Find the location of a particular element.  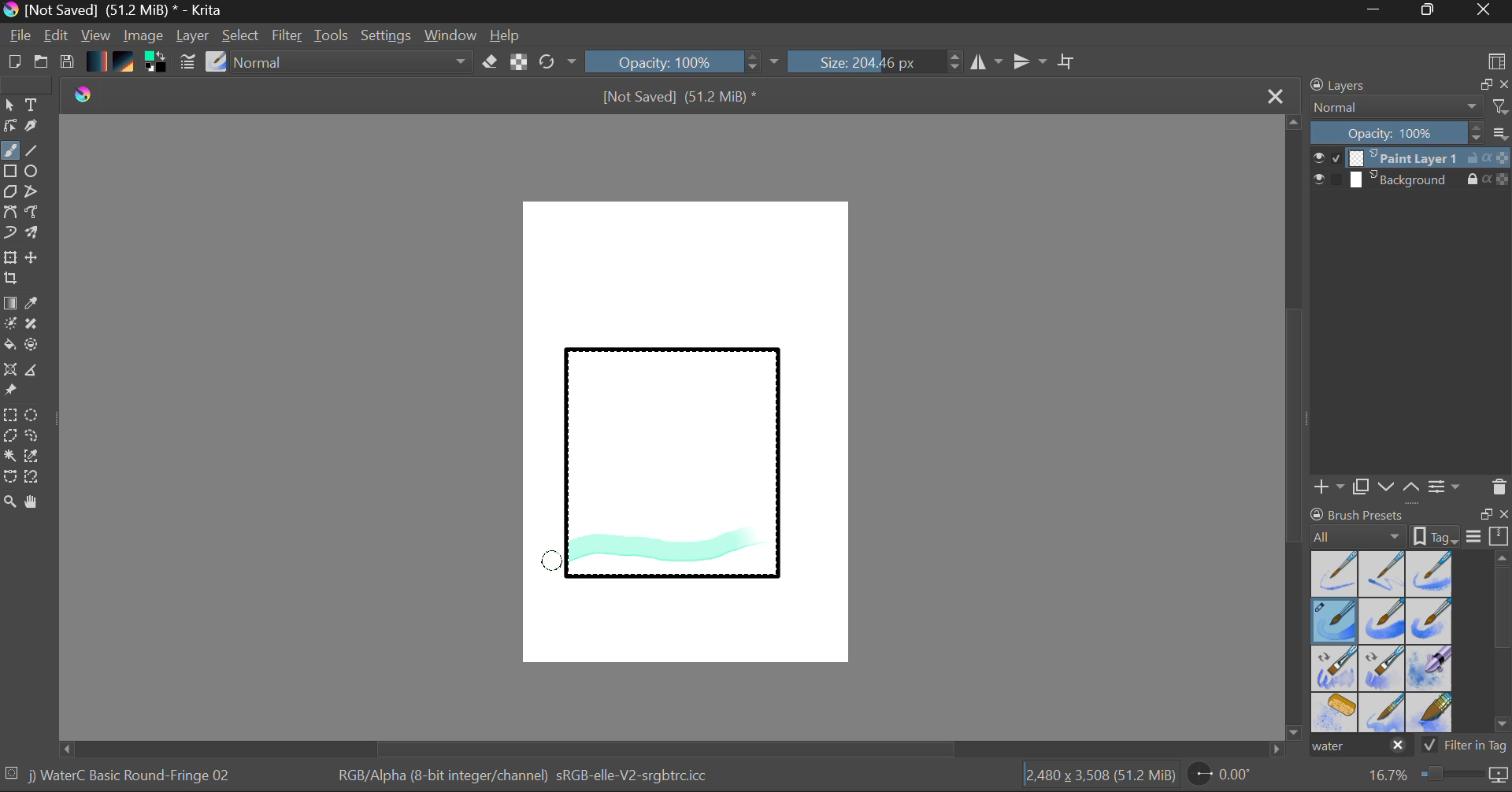

Layers Docket Tab is located at coordinates (1407, 83).